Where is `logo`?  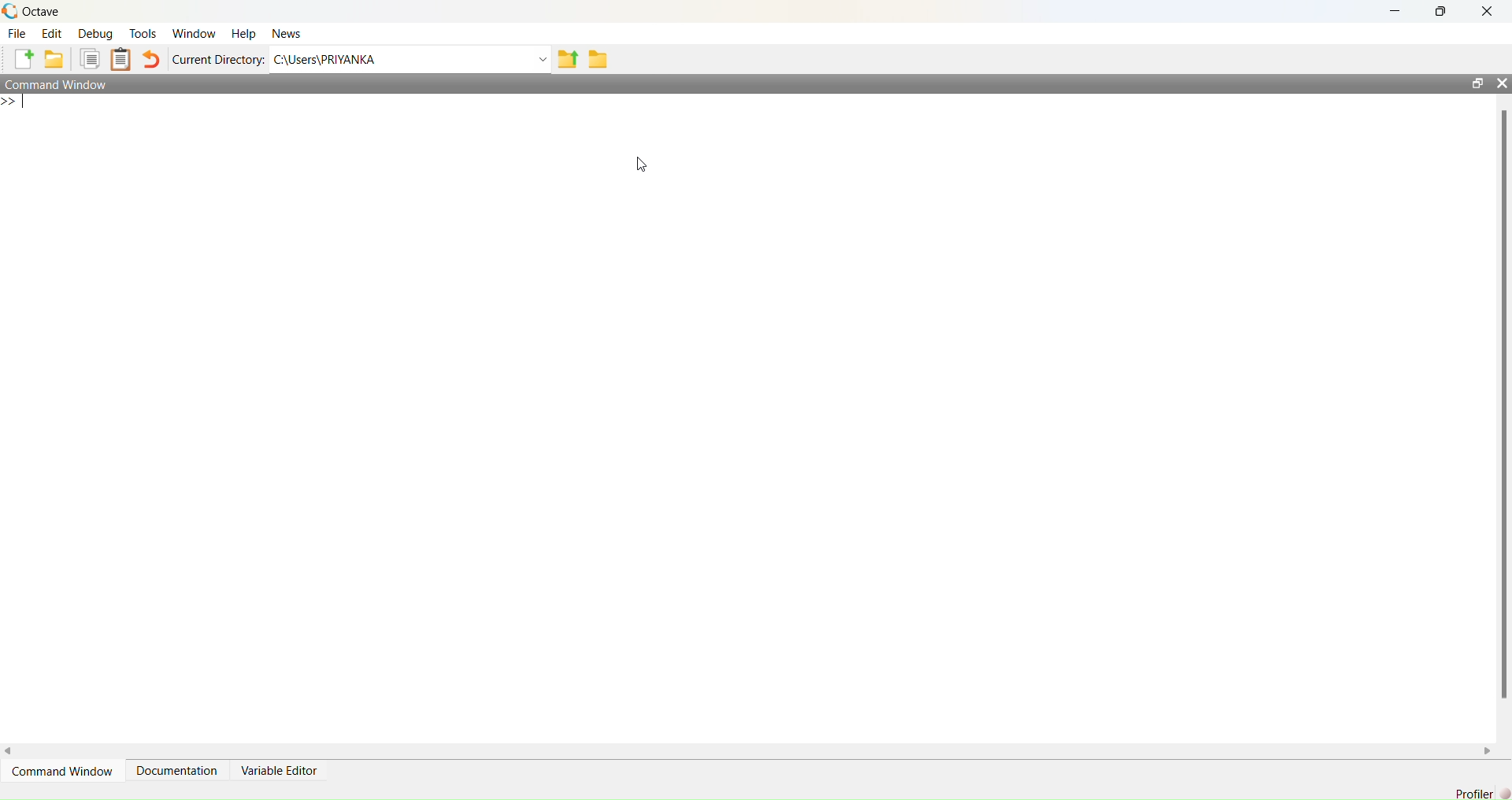 logo is located at coordinates (11, 12).